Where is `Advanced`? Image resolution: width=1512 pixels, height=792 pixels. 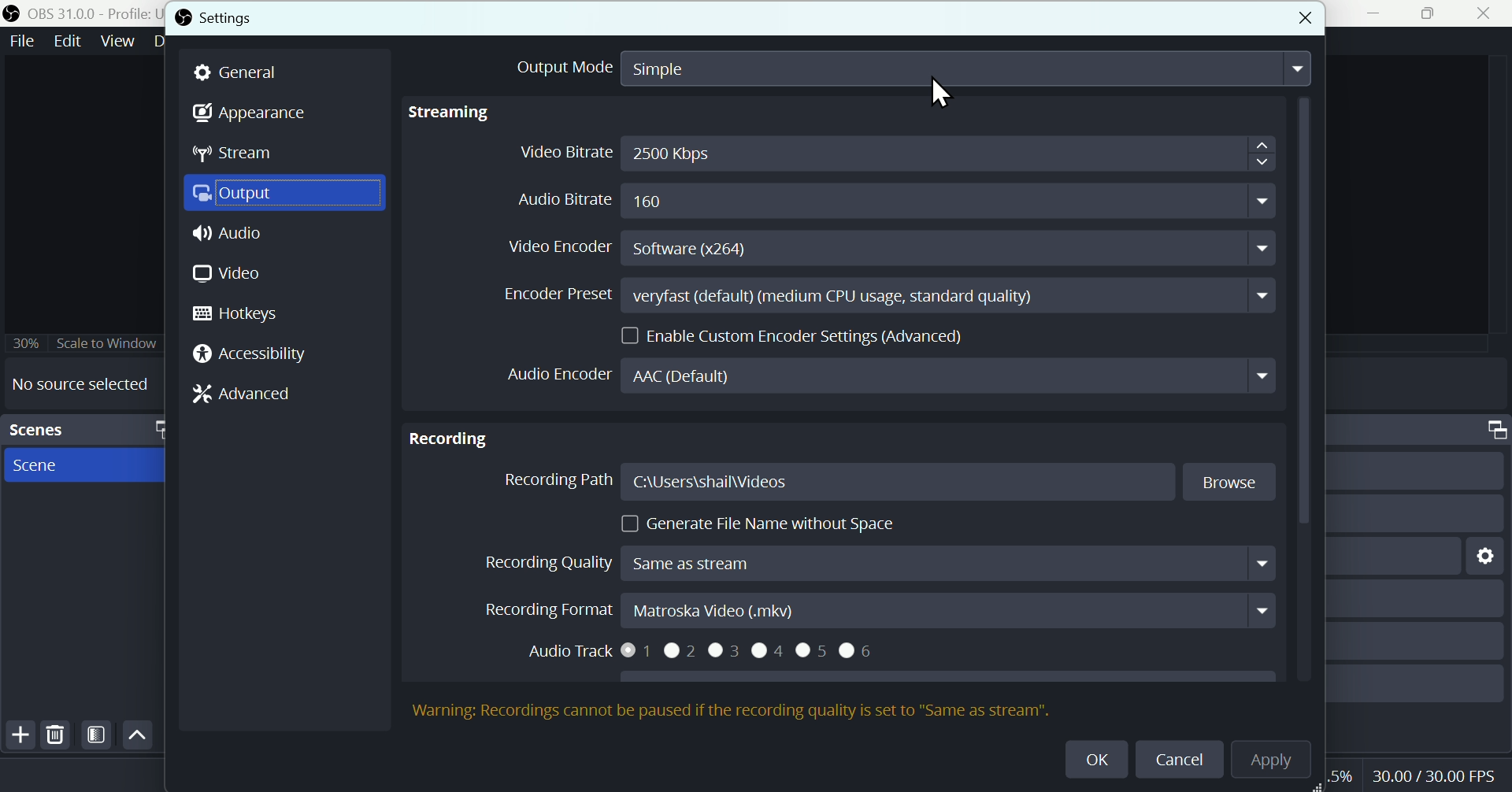
Advanced is located at coordinates (242, 393).